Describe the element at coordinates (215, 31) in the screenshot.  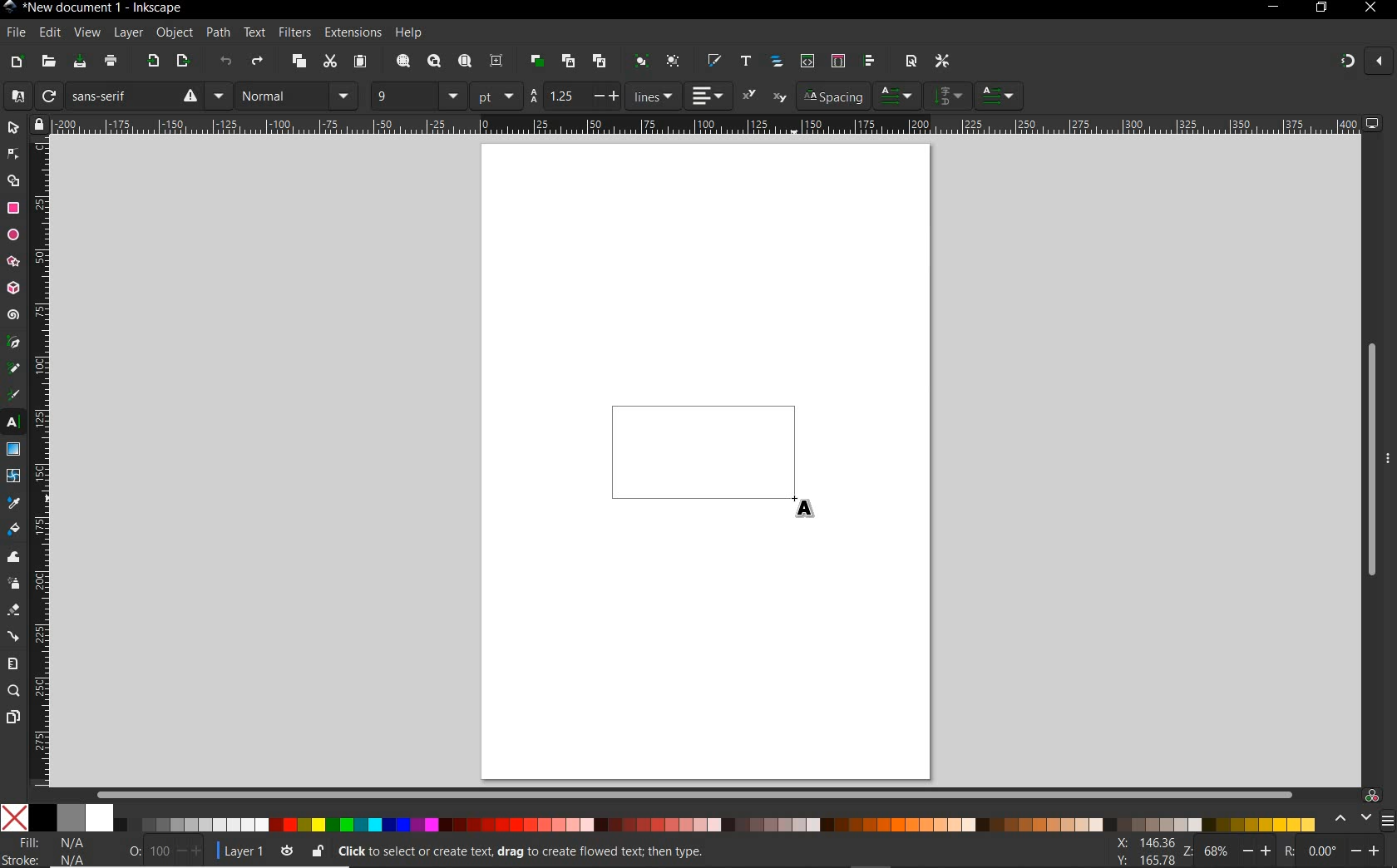
I see `path` at that location.